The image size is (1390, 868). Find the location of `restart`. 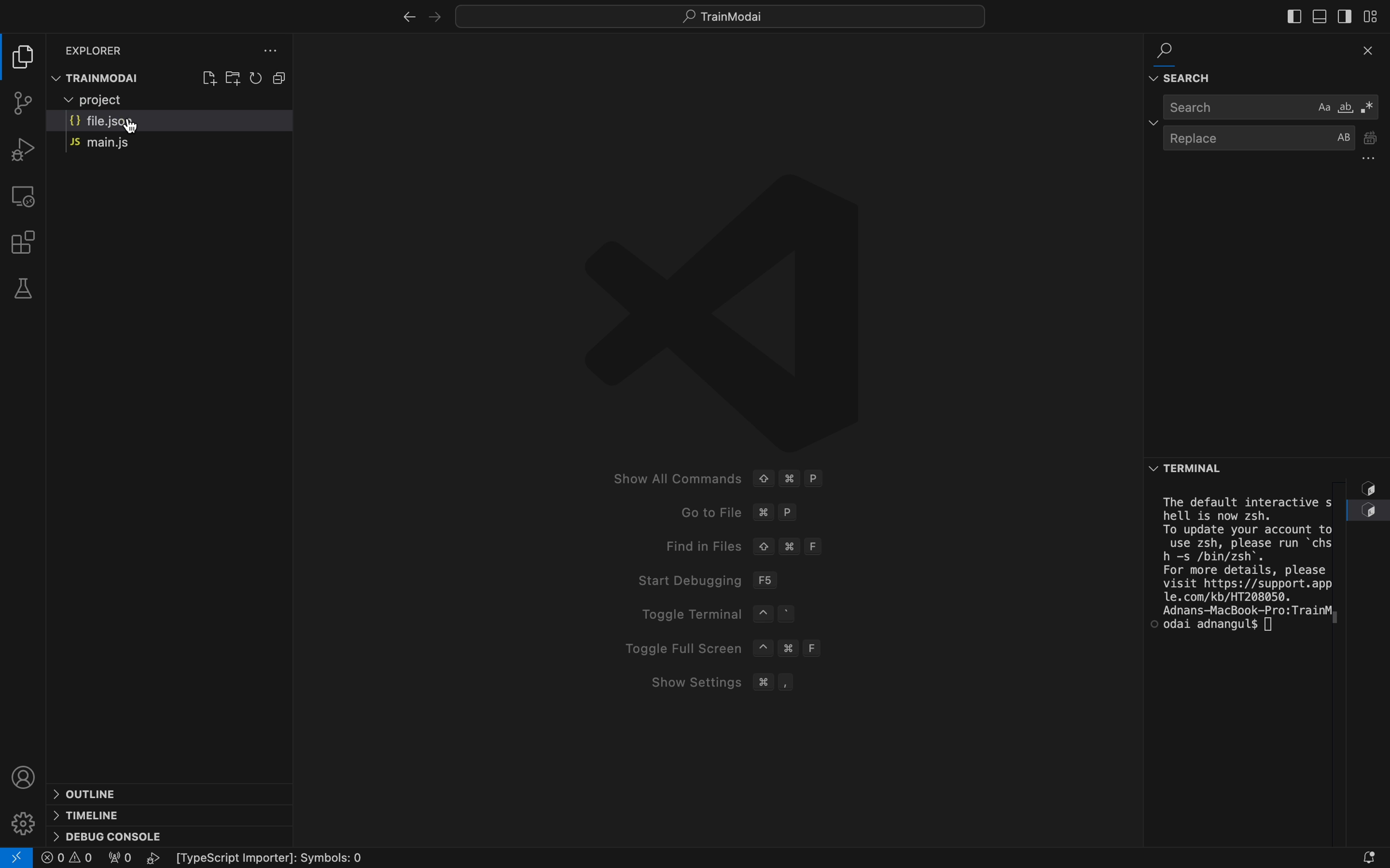

restart is located at coordinates (256, 78).